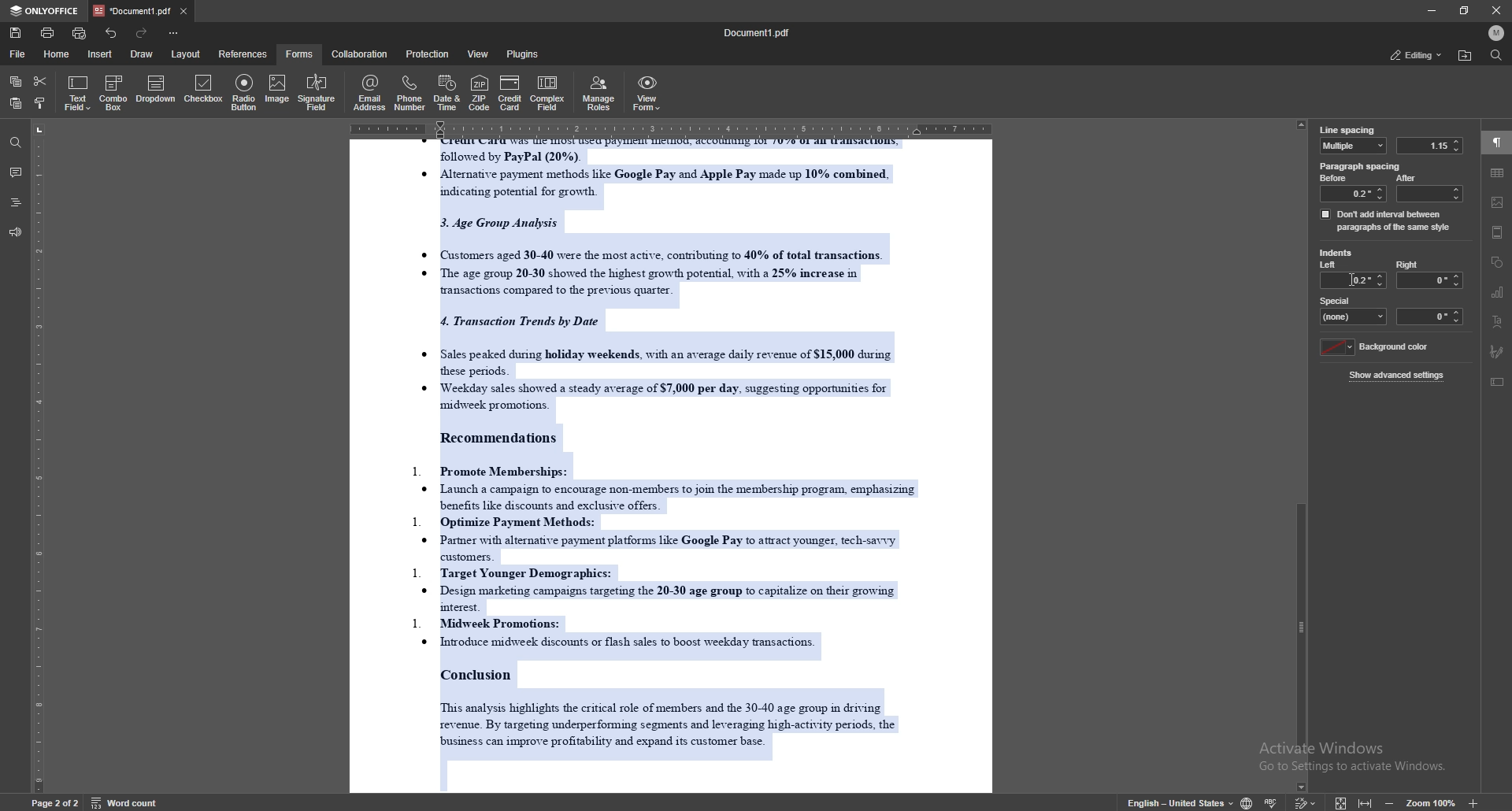  What do you see at coordinates (99, 54) in the screenshot?
I see `insert` at bounding box center [99, 54].